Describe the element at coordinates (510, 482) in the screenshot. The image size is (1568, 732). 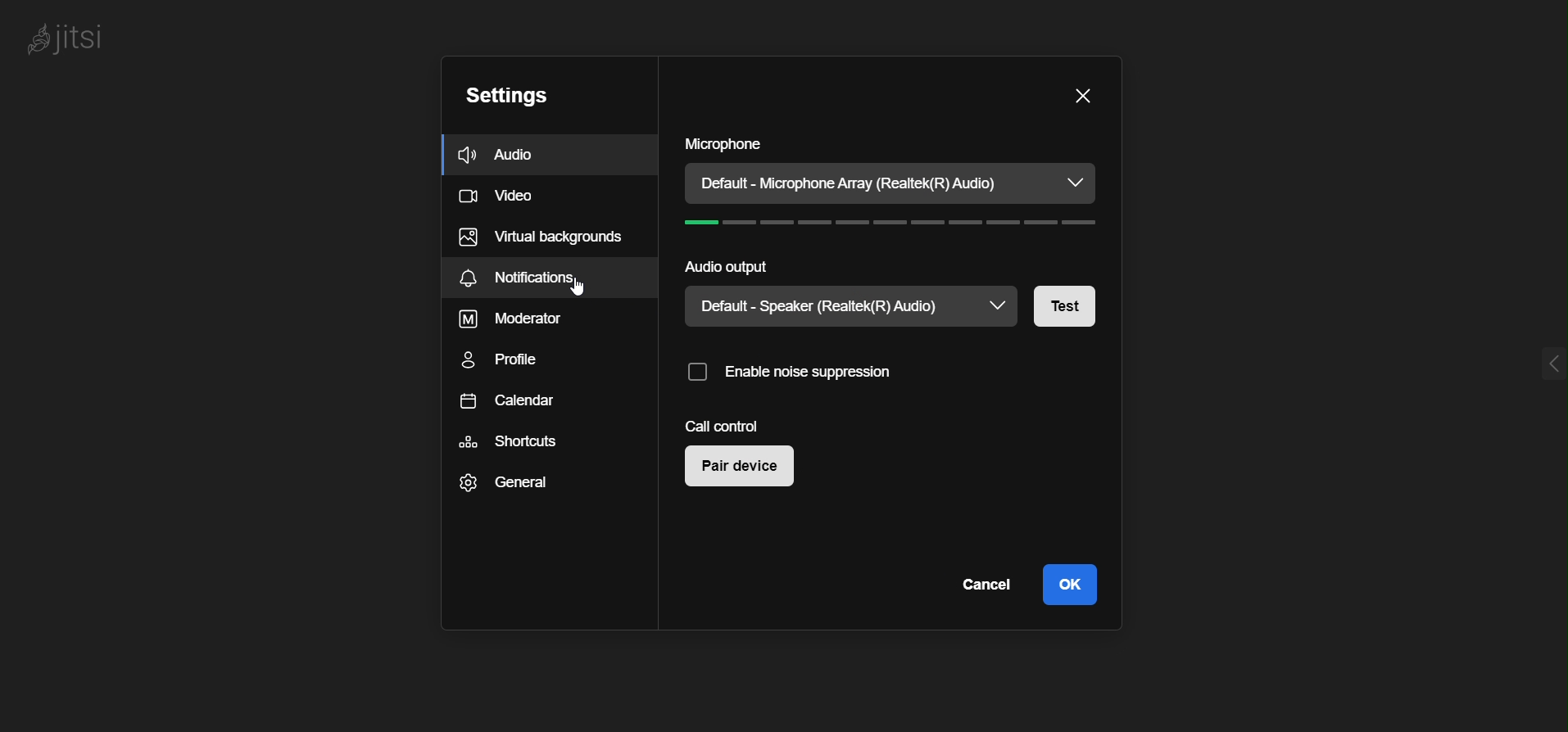
I see `general` at that location.